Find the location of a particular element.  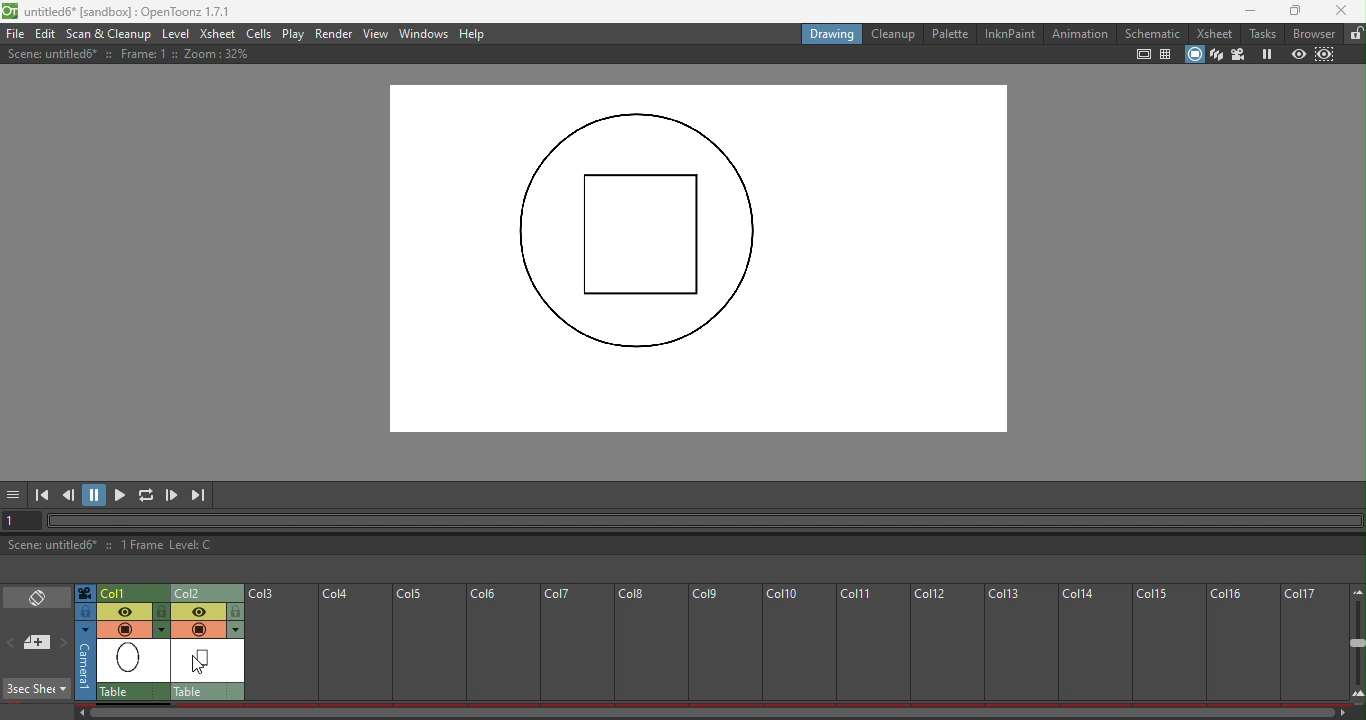

Camera is located at coordinates (1240, 54).